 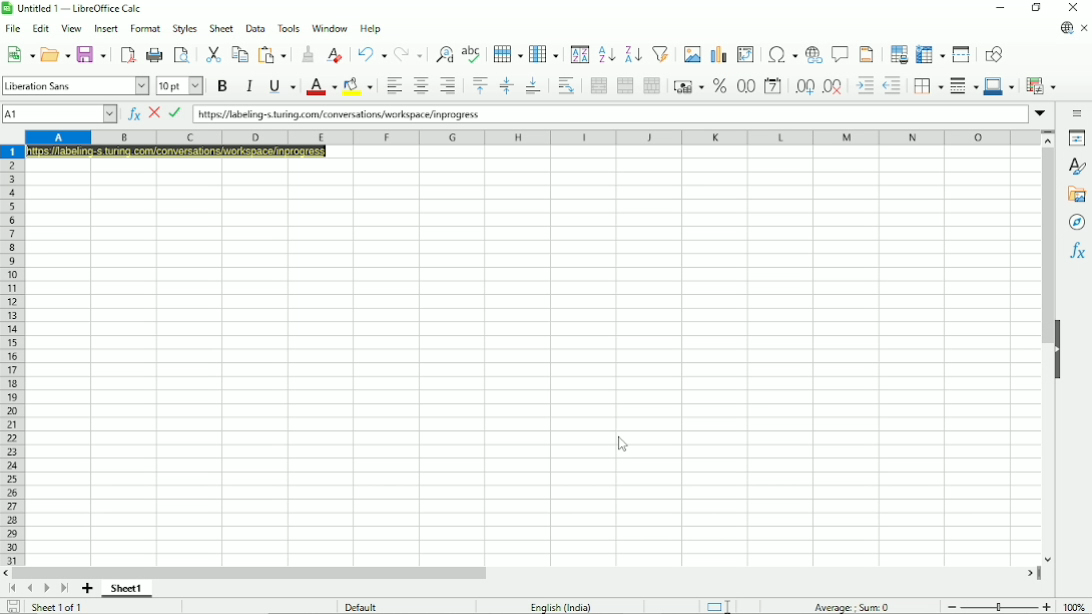 I want to click on Zoom out/in, so click(x=997, y=605).